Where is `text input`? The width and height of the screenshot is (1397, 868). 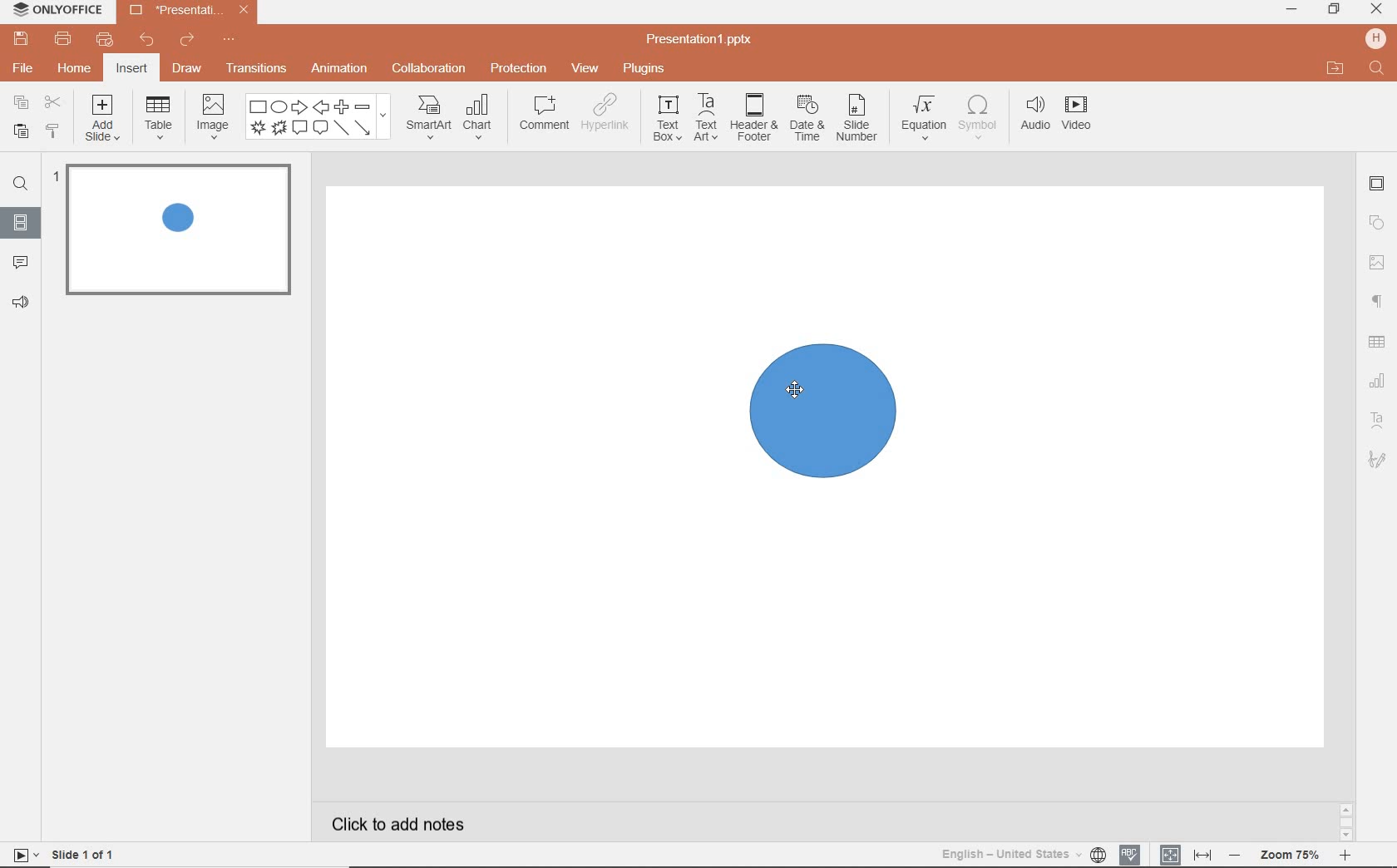 text input is located at coordinates (1377, 70).